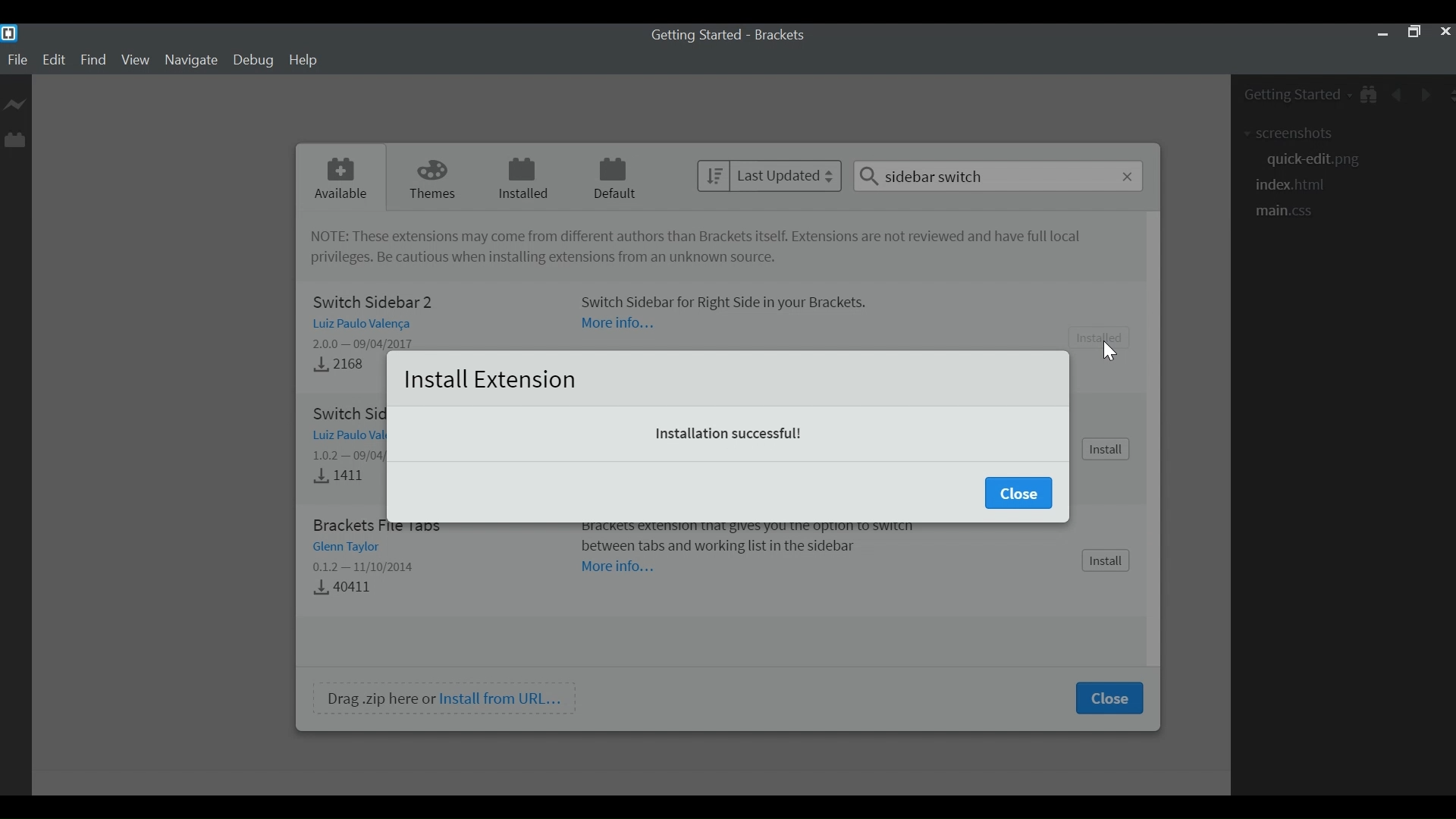 Image resolution: width=1456 pixels, height=819 pixels. What do you see at coordinates (1425, 94) in the screenshot?
I see `Navigate Forward` at bounding box center [1425, 94].